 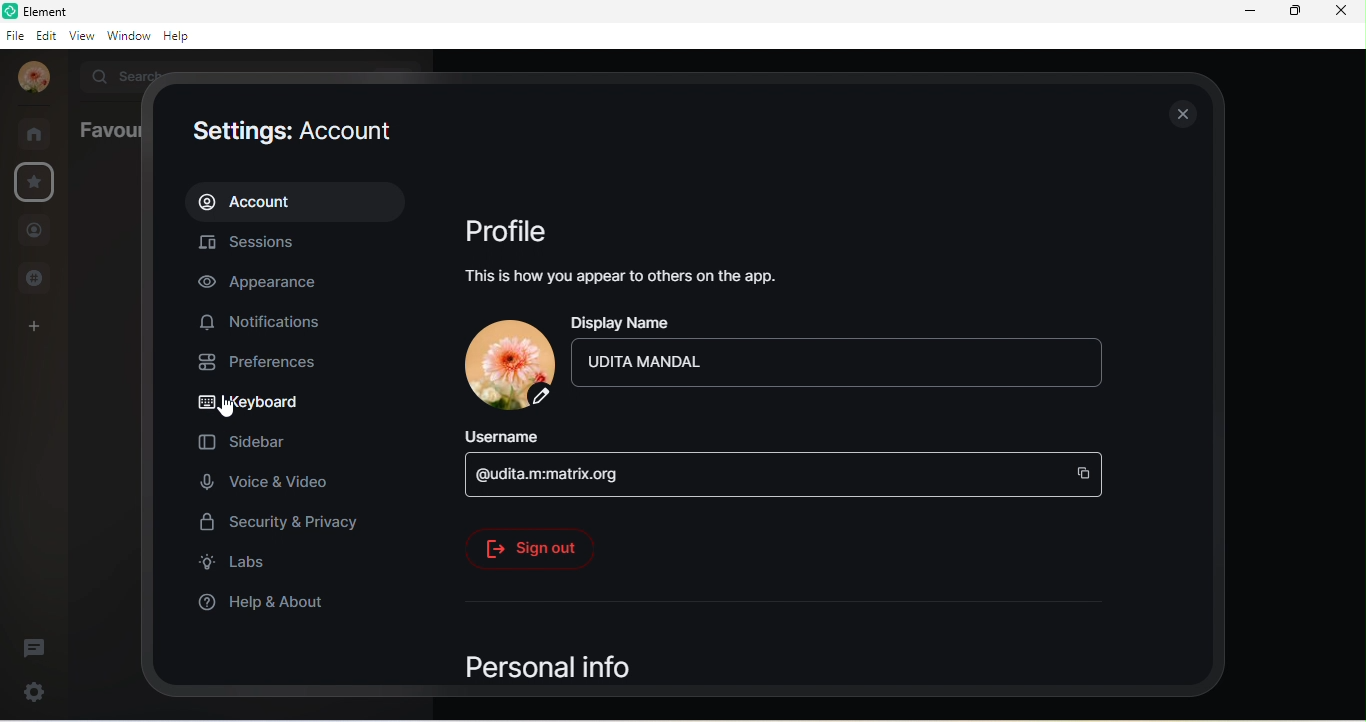 What do you see at coordinates (265, 363) in the screenshot?
I see `preferences` at bounding box center [265, 363].